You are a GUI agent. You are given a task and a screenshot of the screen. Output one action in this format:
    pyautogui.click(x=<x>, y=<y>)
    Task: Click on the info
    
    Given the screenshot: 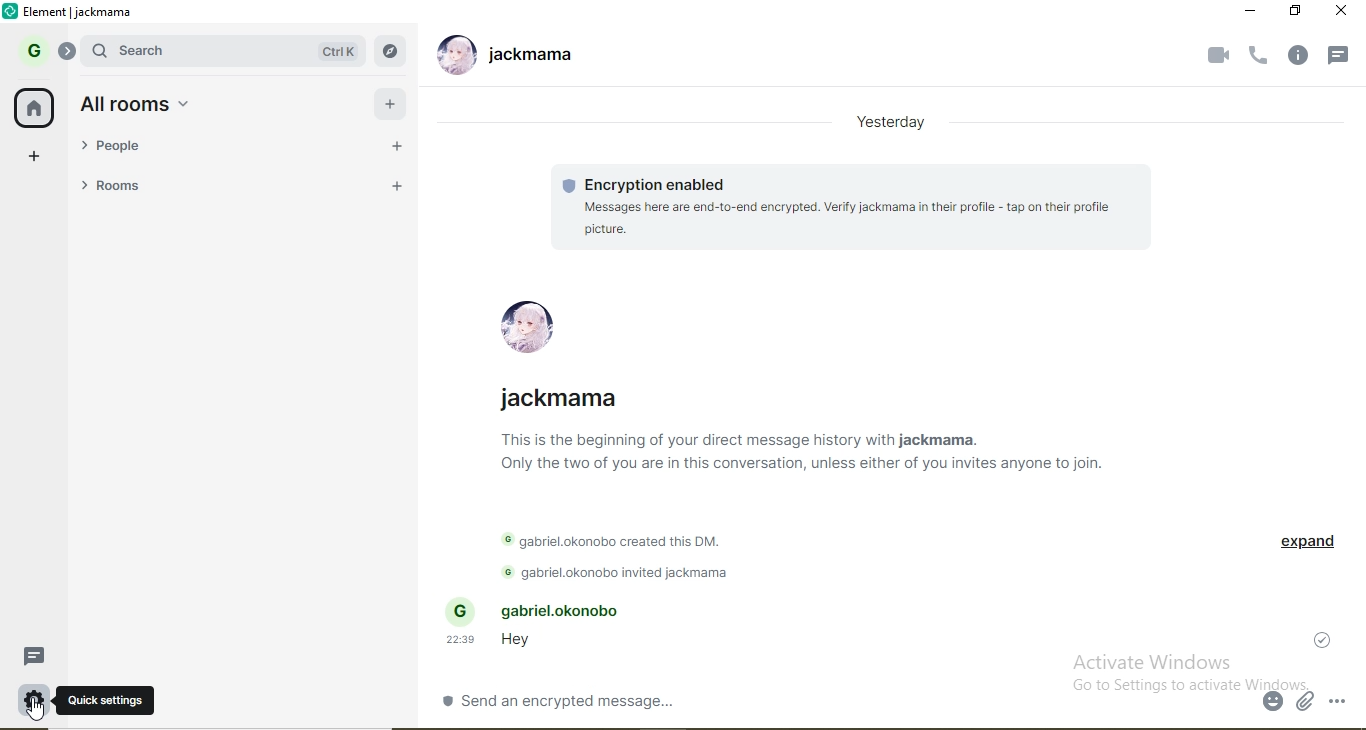 What is the action you would take?
    pyautogui.click(x=1305, y=56)
    